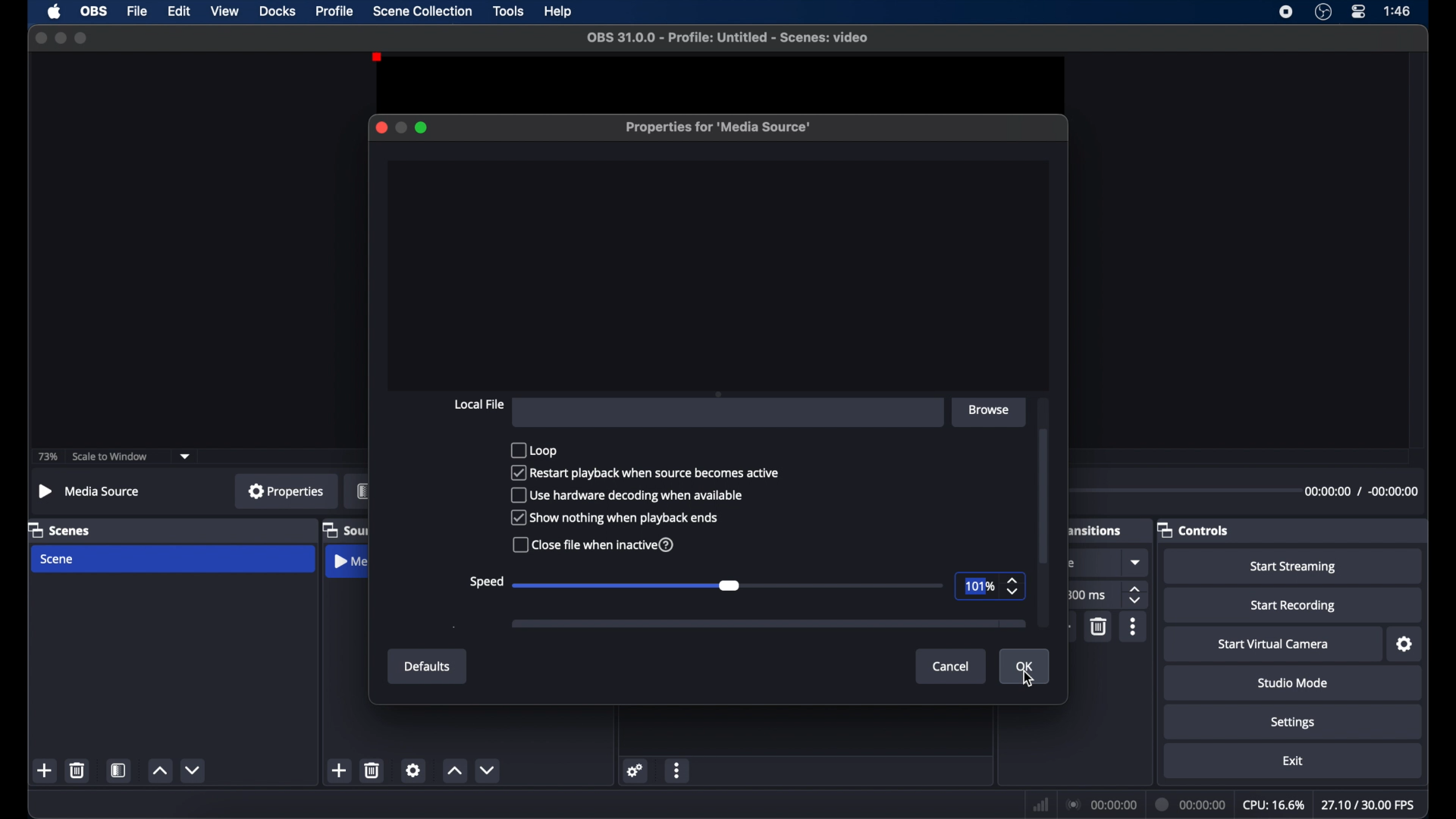 Image resolution: width=1456 pixels, height=819 pixels. I want to click on minimize, so click(60, 38).